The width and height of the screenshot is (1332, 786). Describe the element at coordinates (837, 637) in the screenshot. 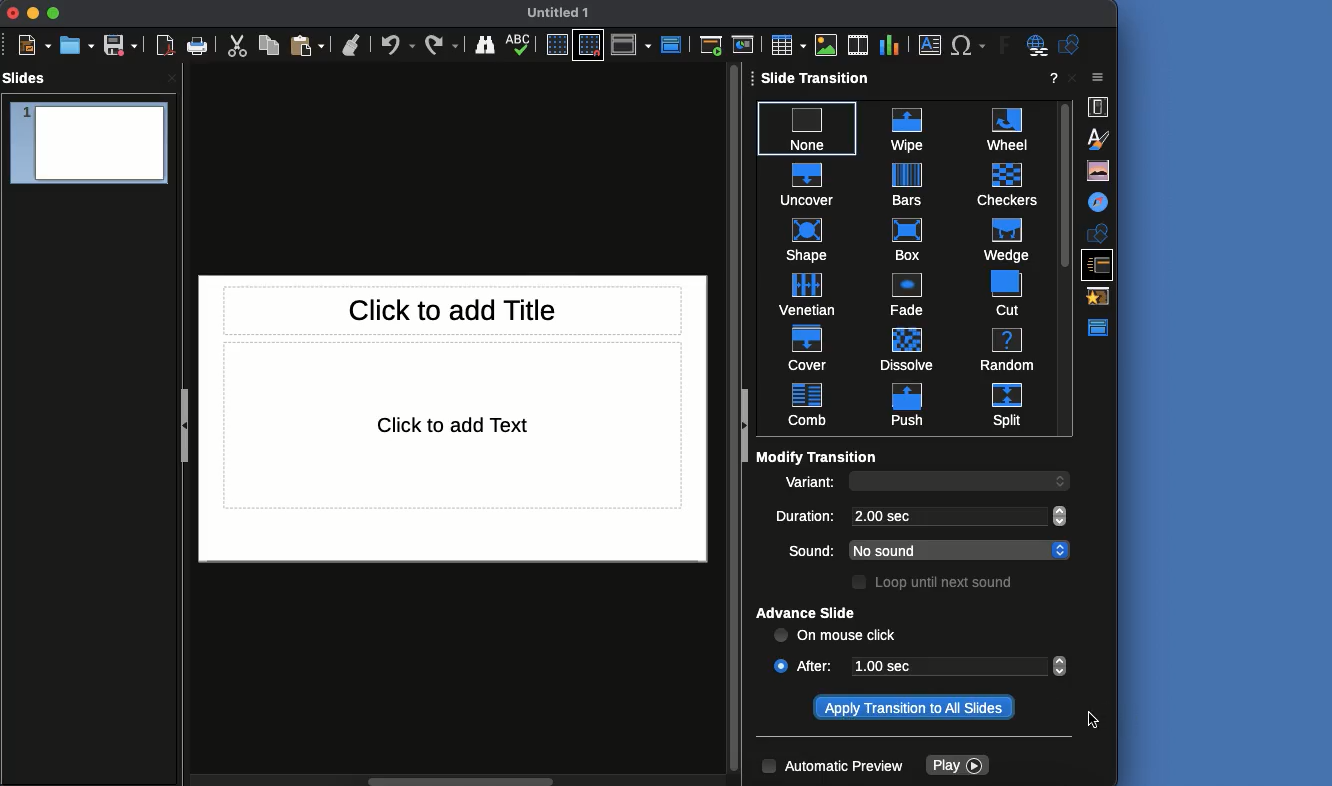

I see `On mouse click` at that location.